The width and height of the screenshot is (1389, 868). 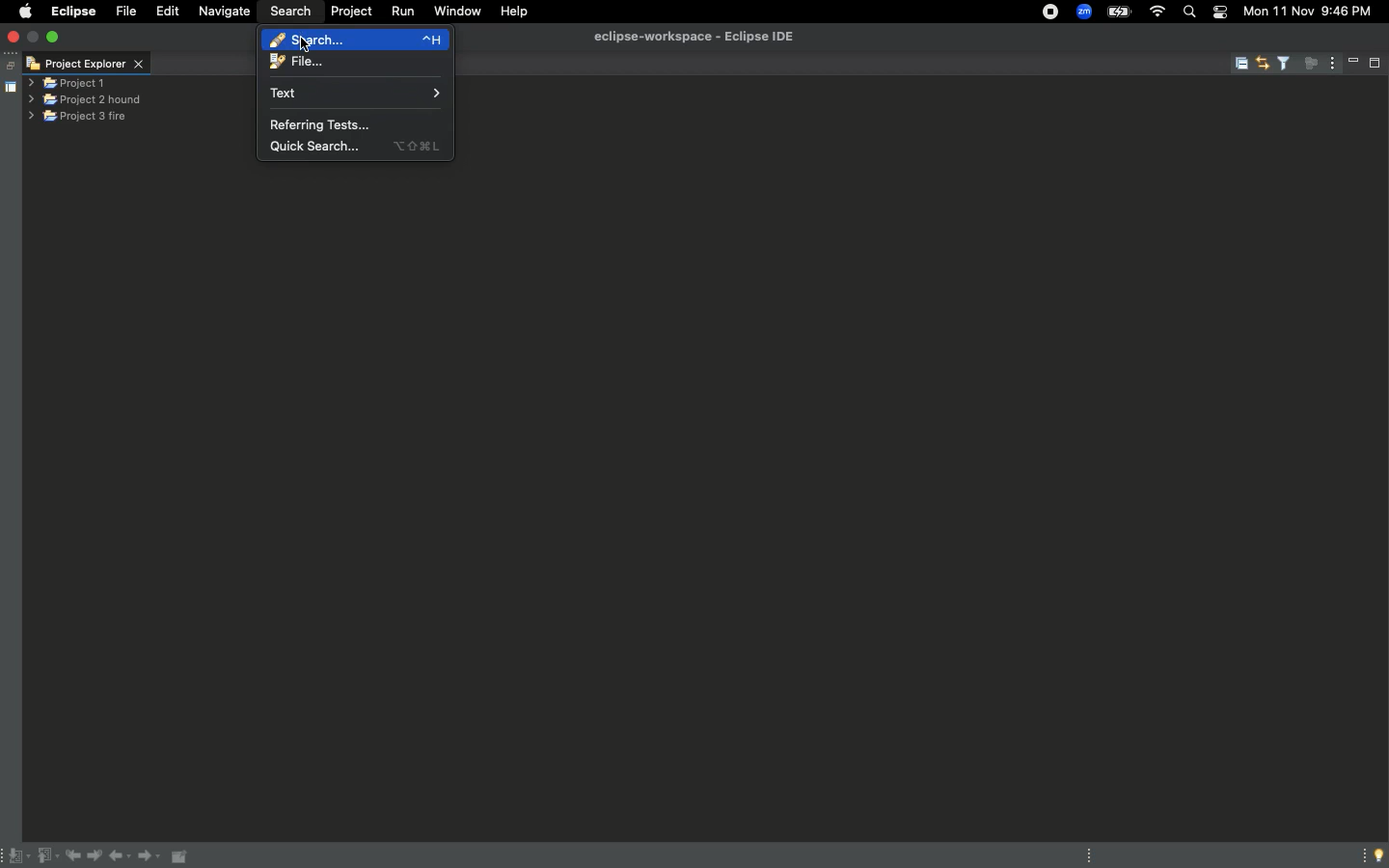 I want to click on Previous annotation, so click(x=46, y=856).